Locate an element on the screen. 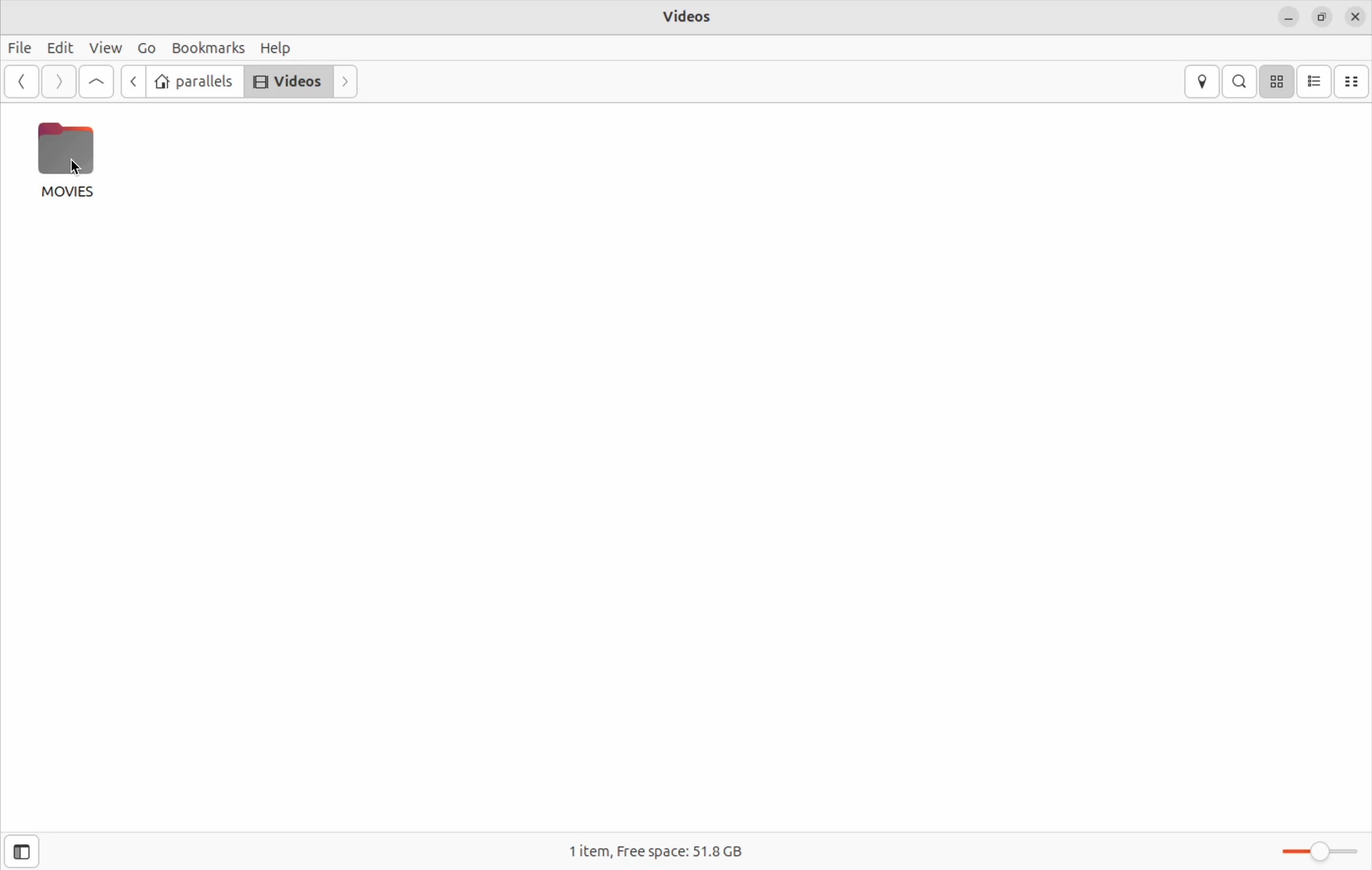  resize is located at coordinates (1321, 16).